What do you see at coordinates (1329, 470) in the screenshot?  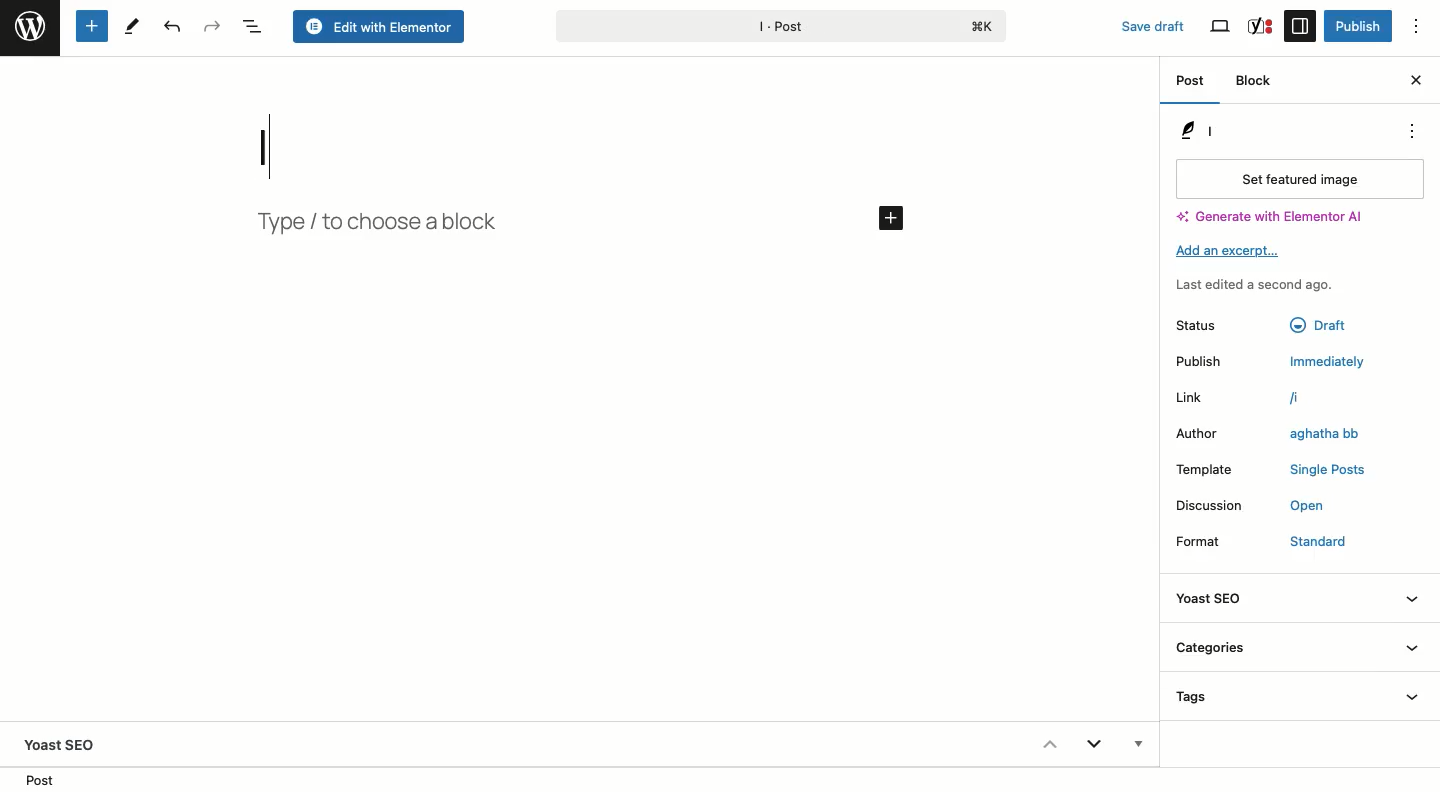 I see `Single Posts` at bounding box center [1329, 470].